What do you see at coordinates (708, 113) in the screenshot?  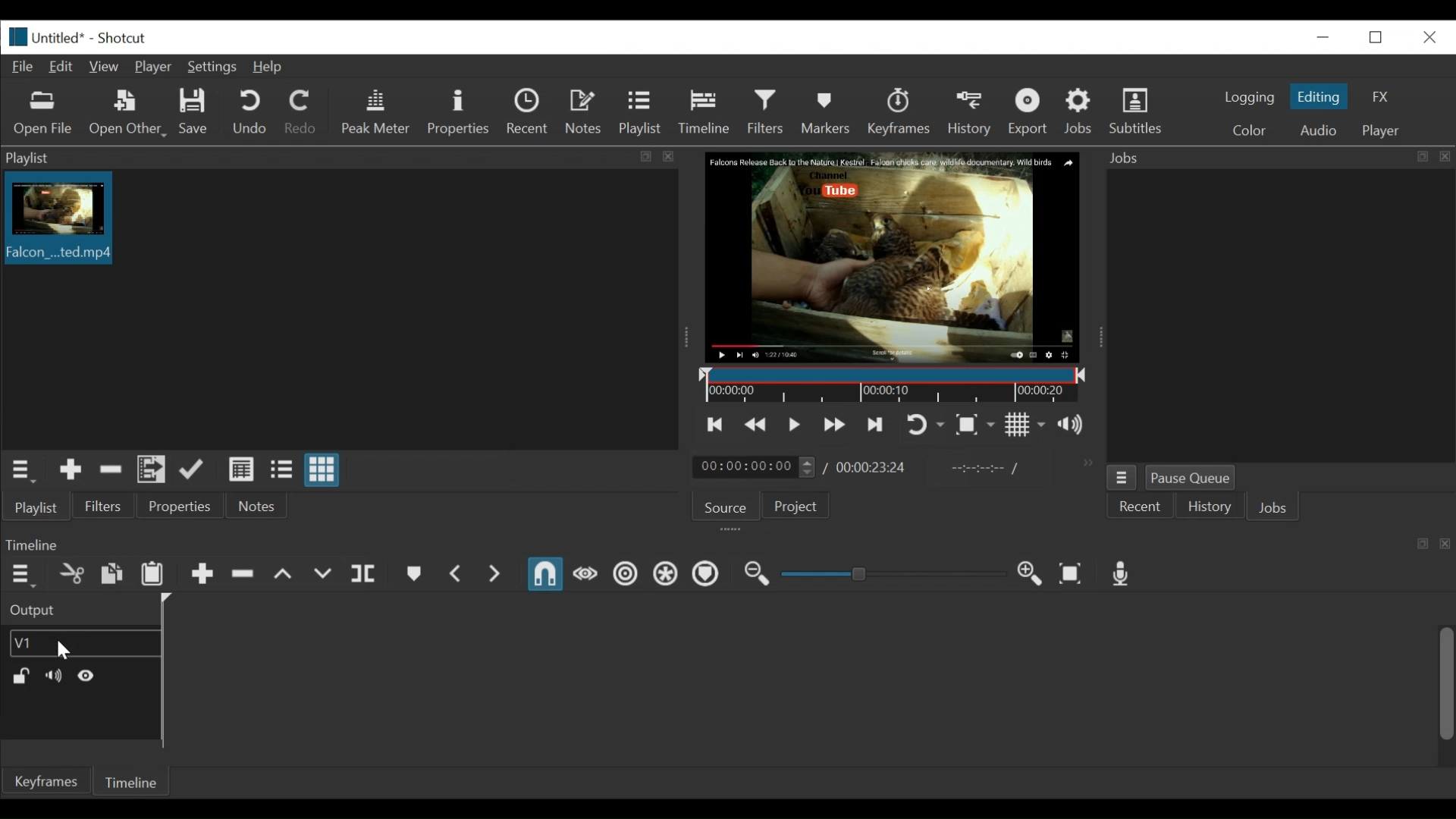 I see `Timeline` at bounding box center [708, 113].